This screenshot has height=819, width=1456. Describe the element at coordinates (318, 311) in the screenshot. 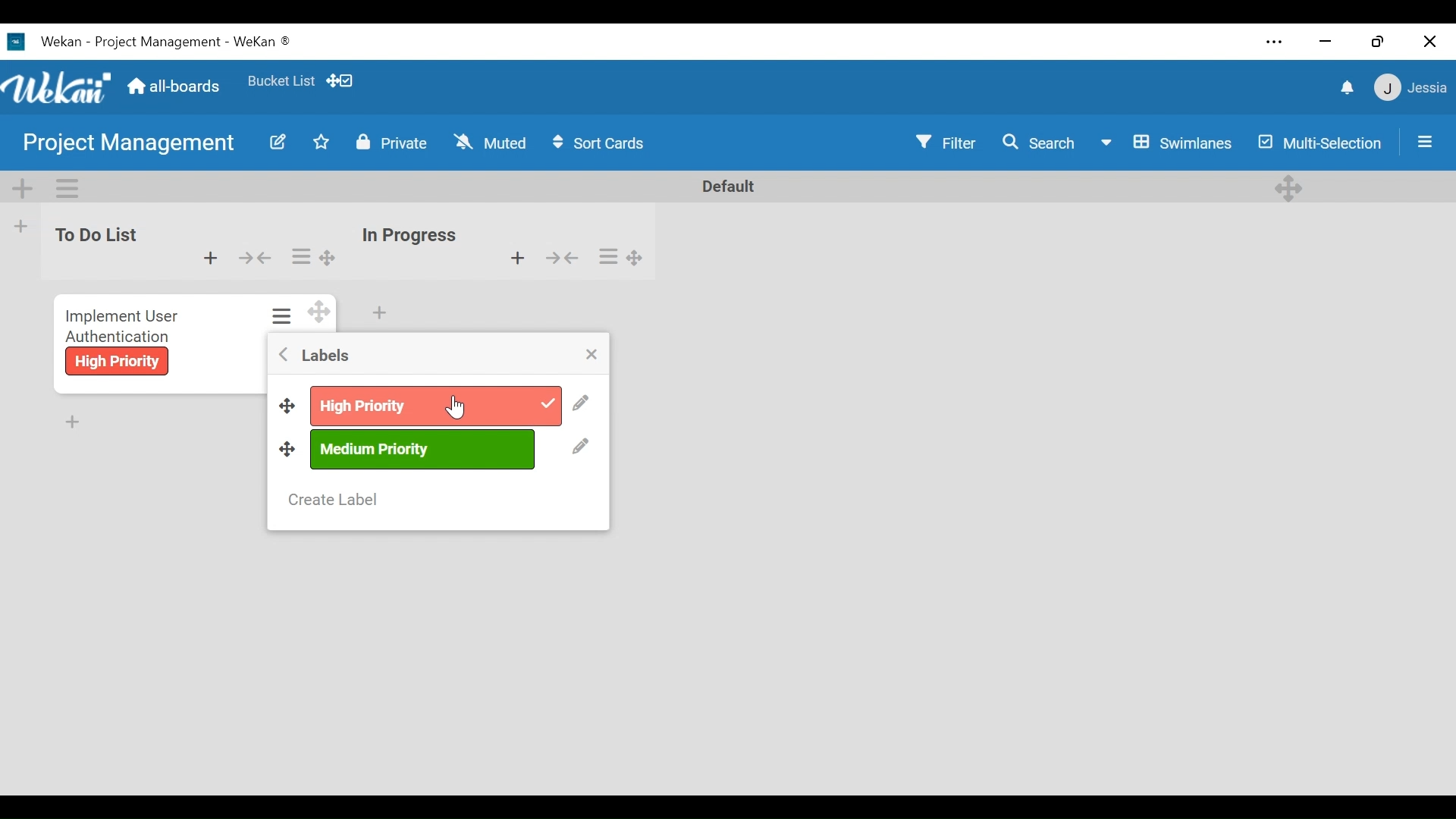

I see `desktop drag handles` at that location.